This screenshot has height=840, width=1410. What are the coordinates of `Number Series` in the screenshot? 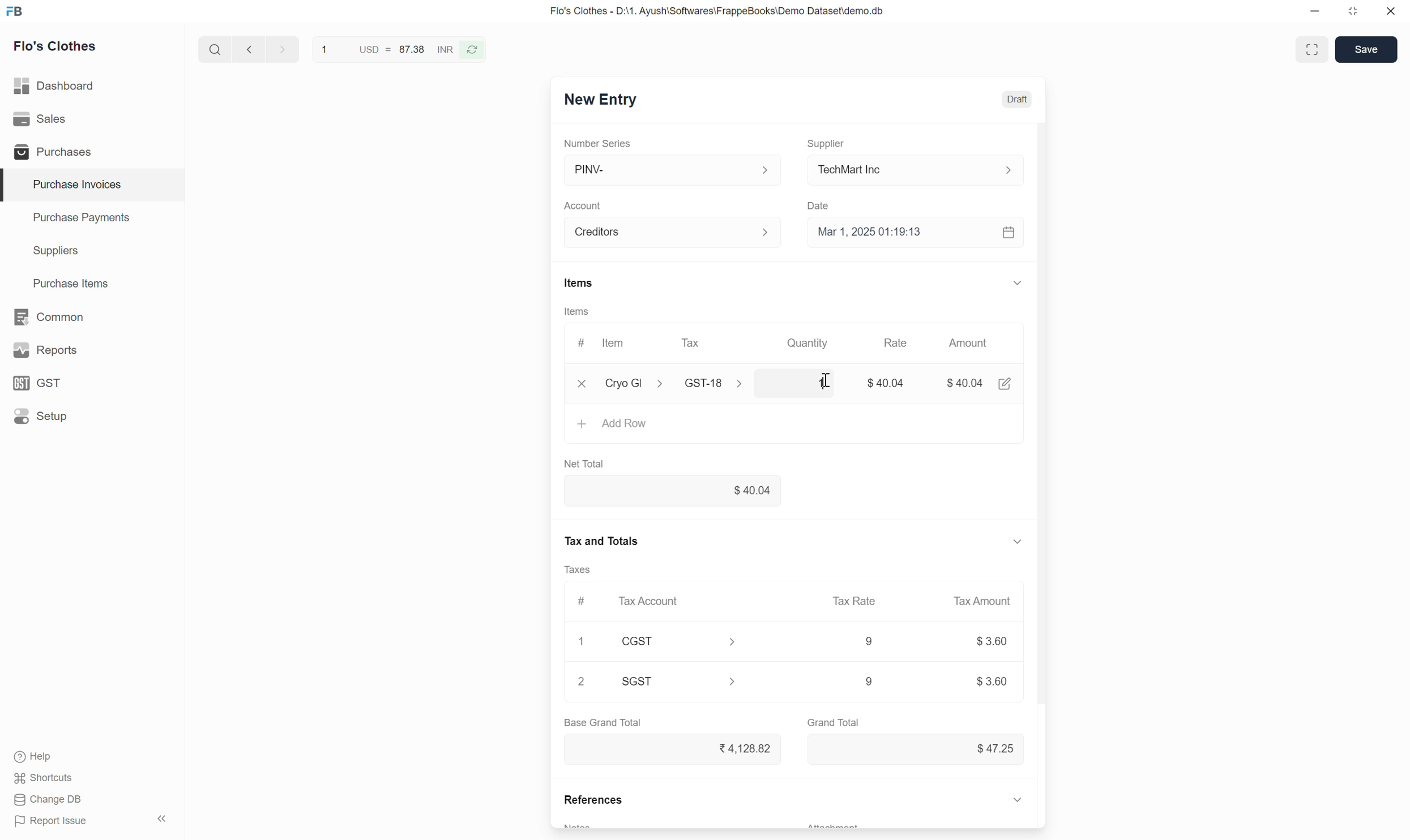 It's located at (604, 142).